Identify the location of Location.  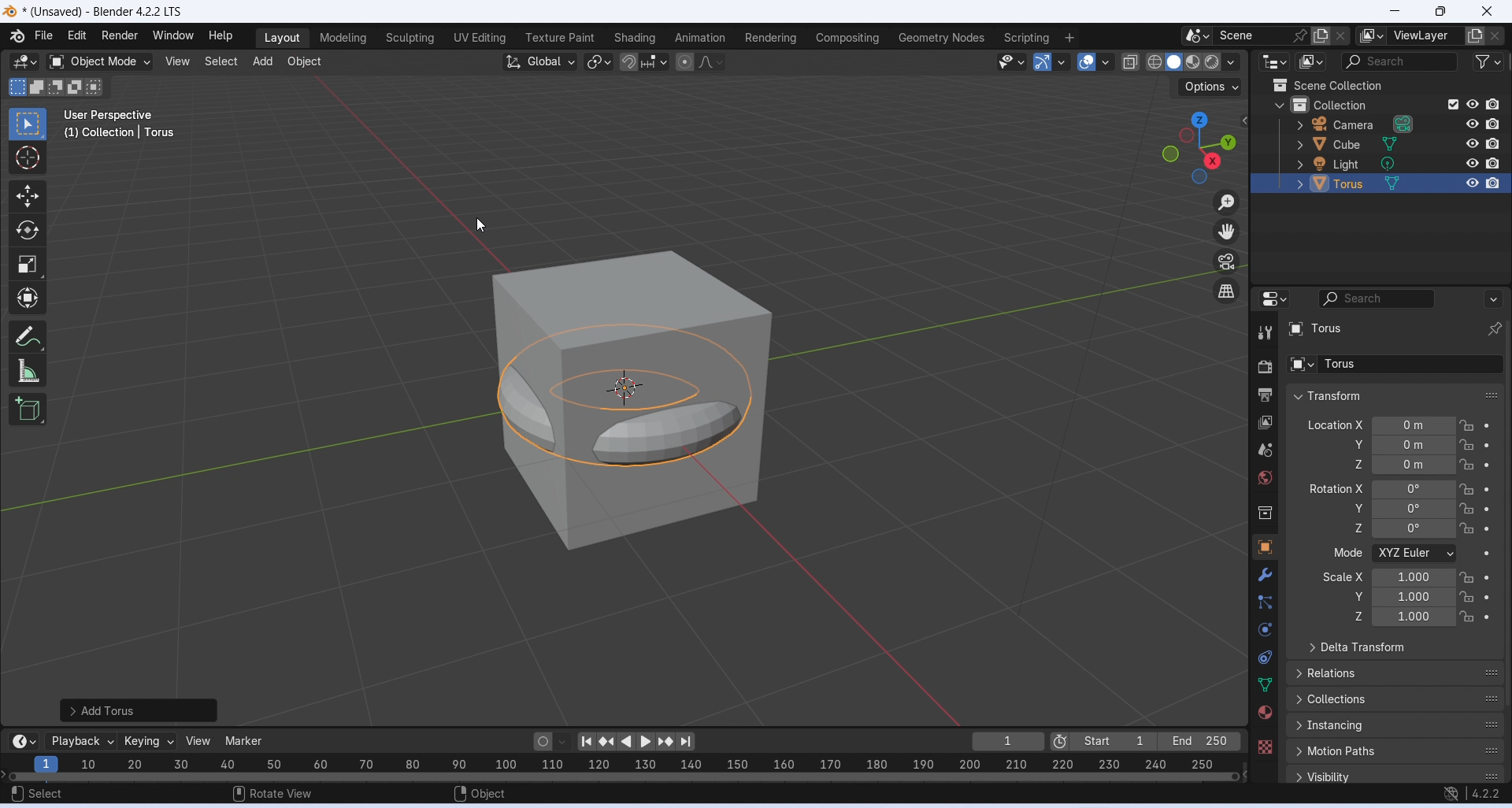
(1432, 425).